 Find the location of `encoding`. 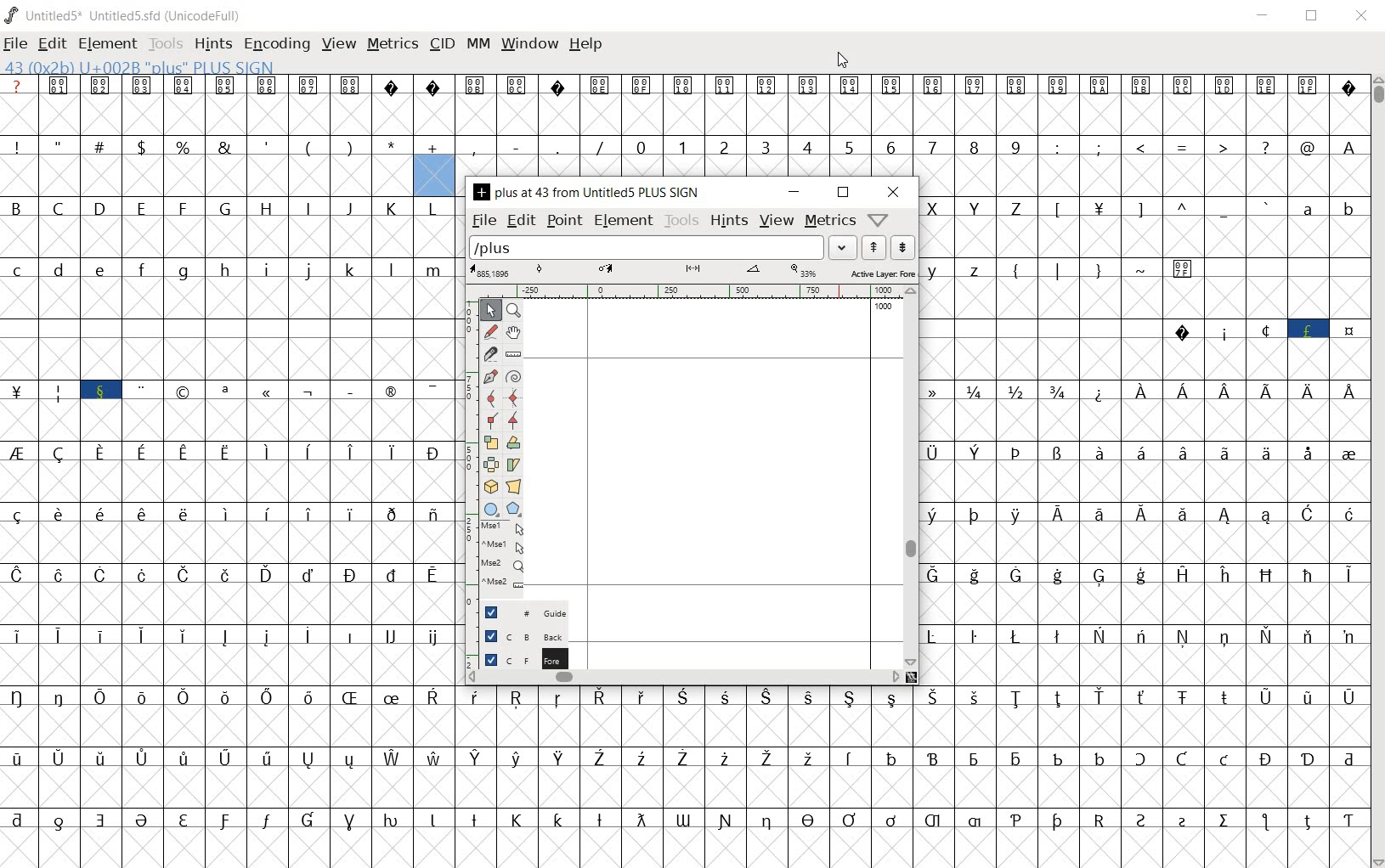

encoding is located at coordinates (276, 42).